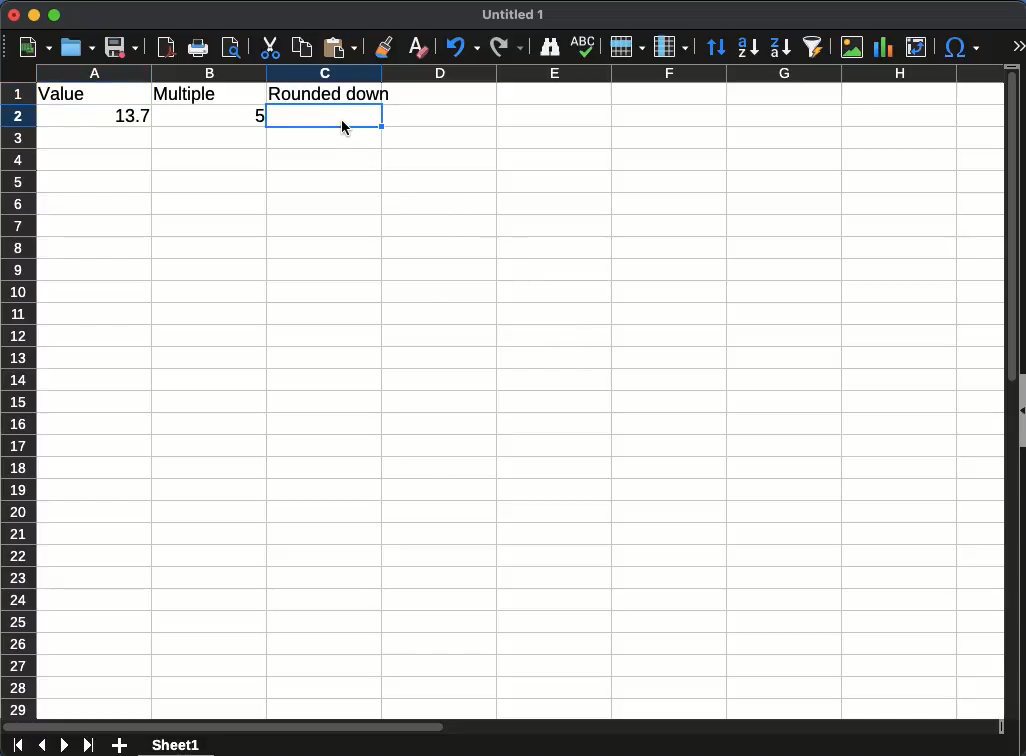 The image size is (1026, 756). What do you see at coordinates (748, 47) in the screenshot?
I see `ascending` at bounding box center [748, 47].